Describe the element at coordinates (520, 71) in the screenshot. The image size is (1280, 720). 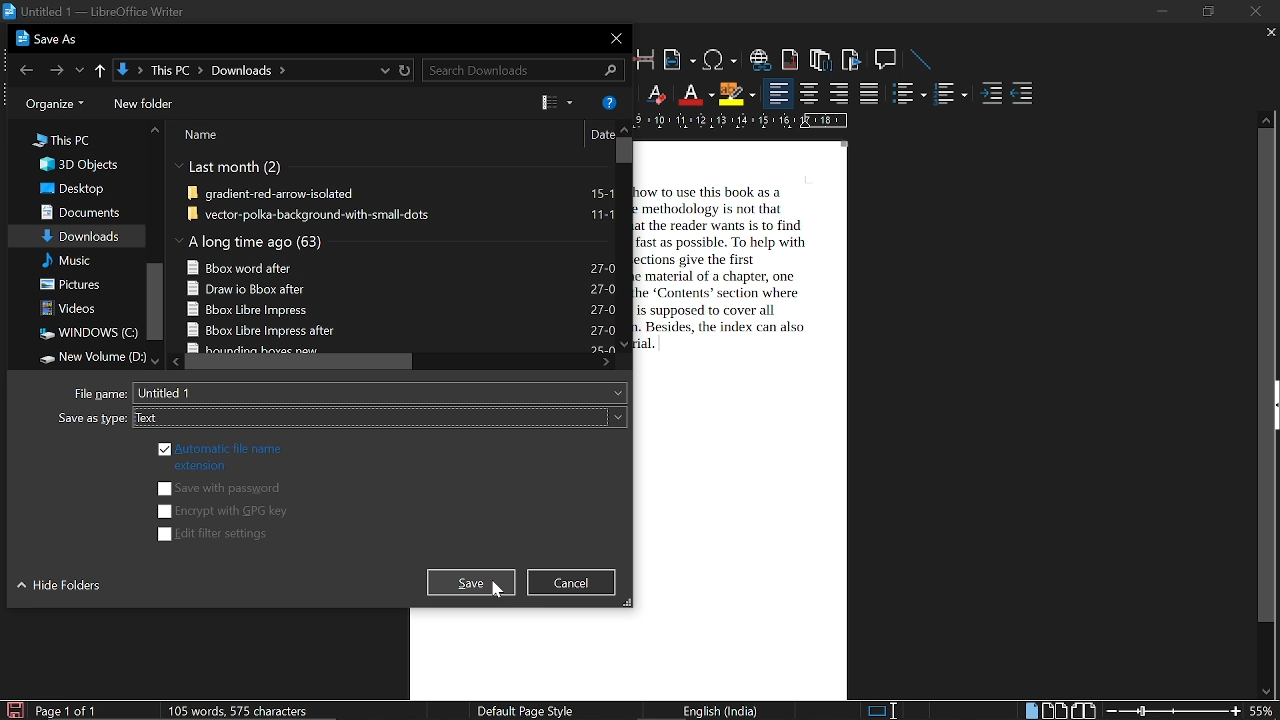
I see `search` at that location.